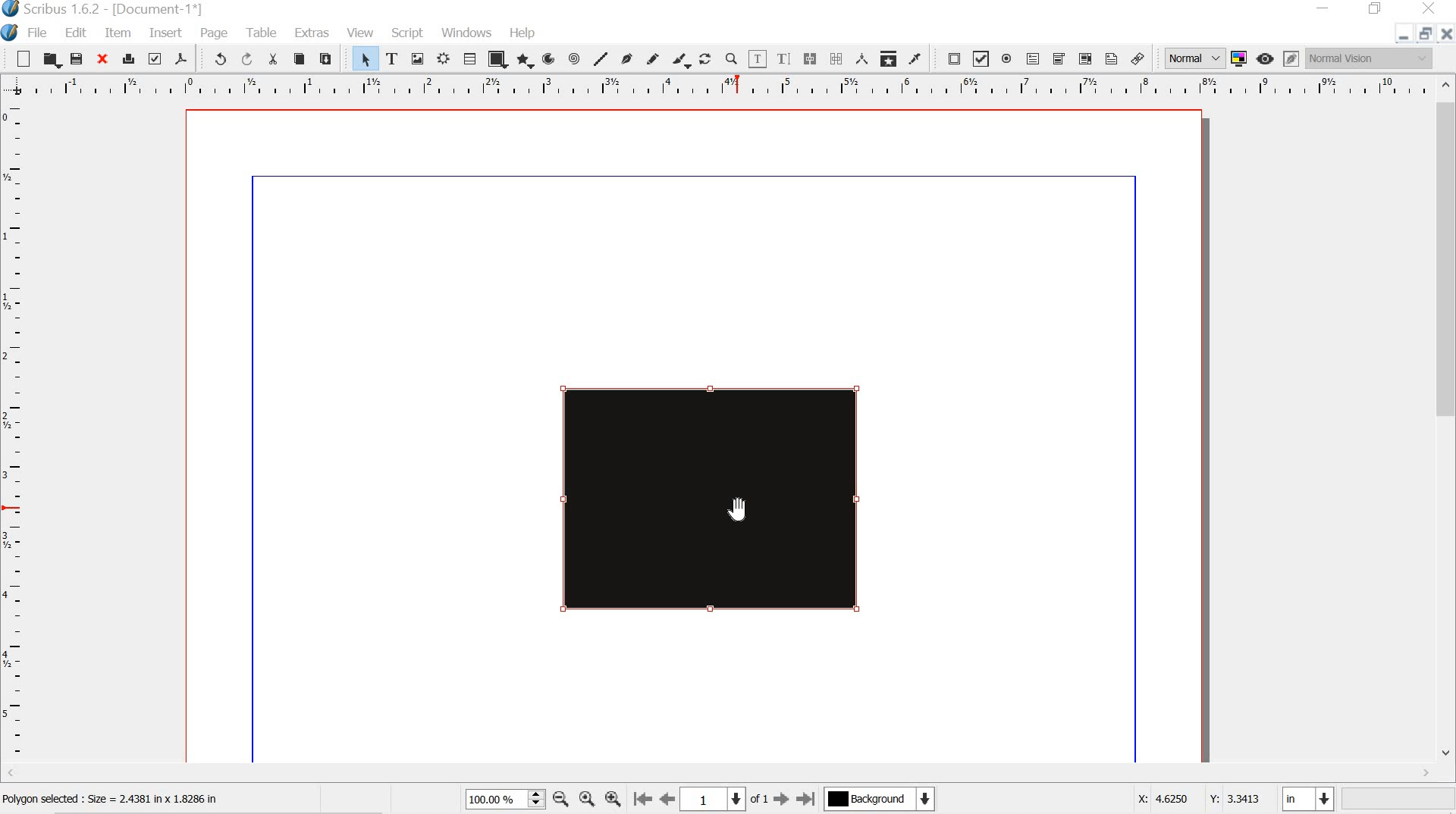  I want to click on rotate item, so click(704, 60).